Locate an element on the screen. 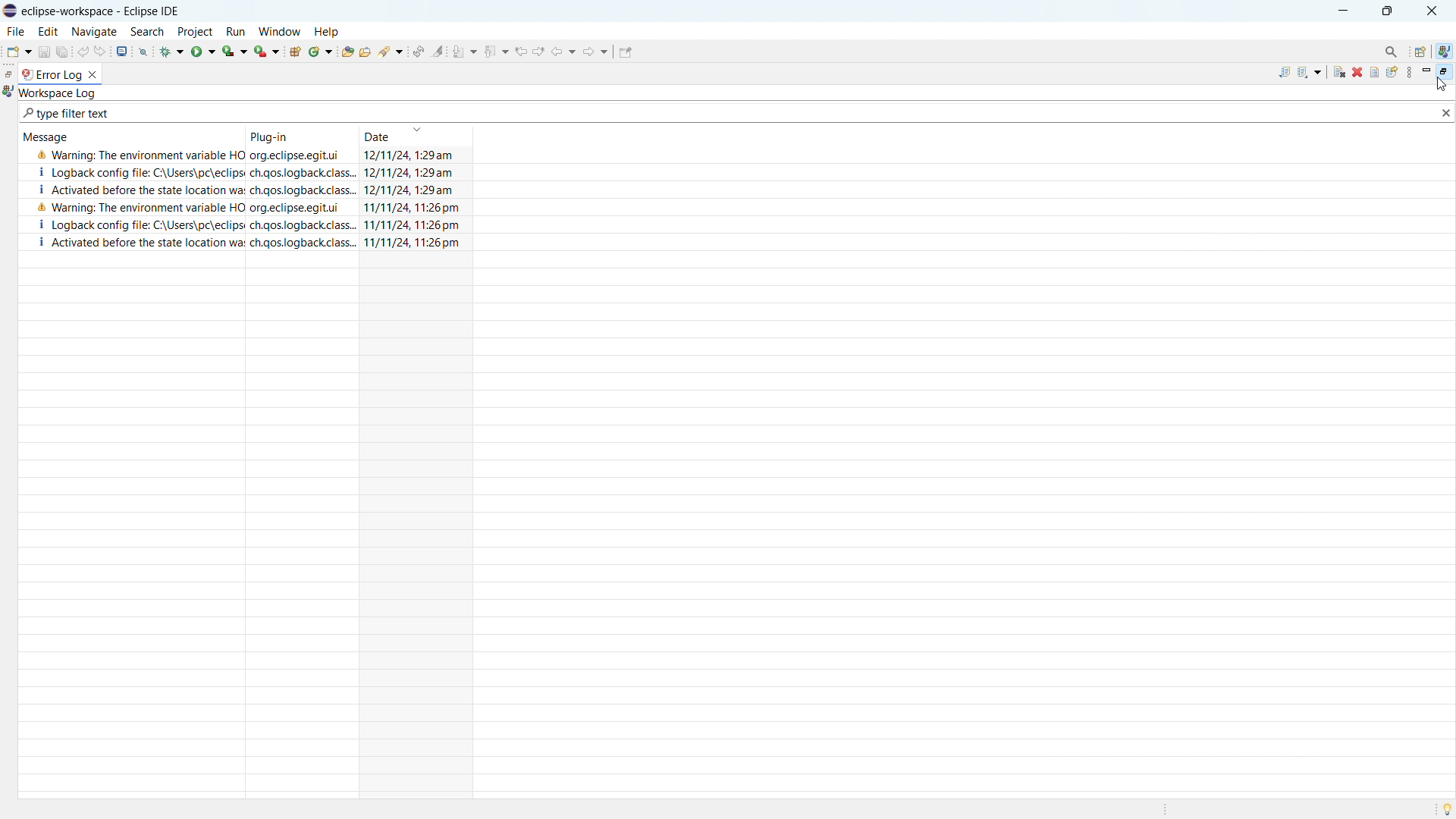 This screenshot has height=819, width=1456. Navigate is located at coordinates (94, 30).